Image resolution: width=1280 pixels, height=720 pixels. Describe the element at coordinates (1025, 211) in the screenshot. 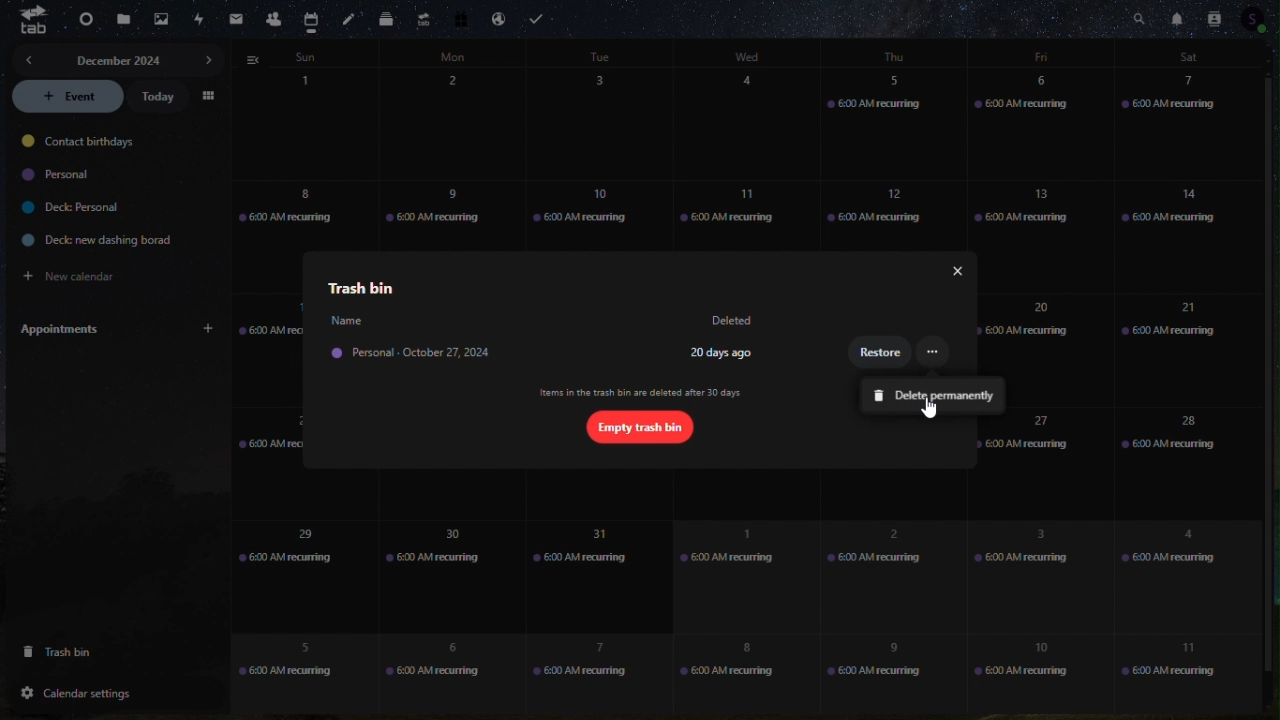

I see `13` at that location.